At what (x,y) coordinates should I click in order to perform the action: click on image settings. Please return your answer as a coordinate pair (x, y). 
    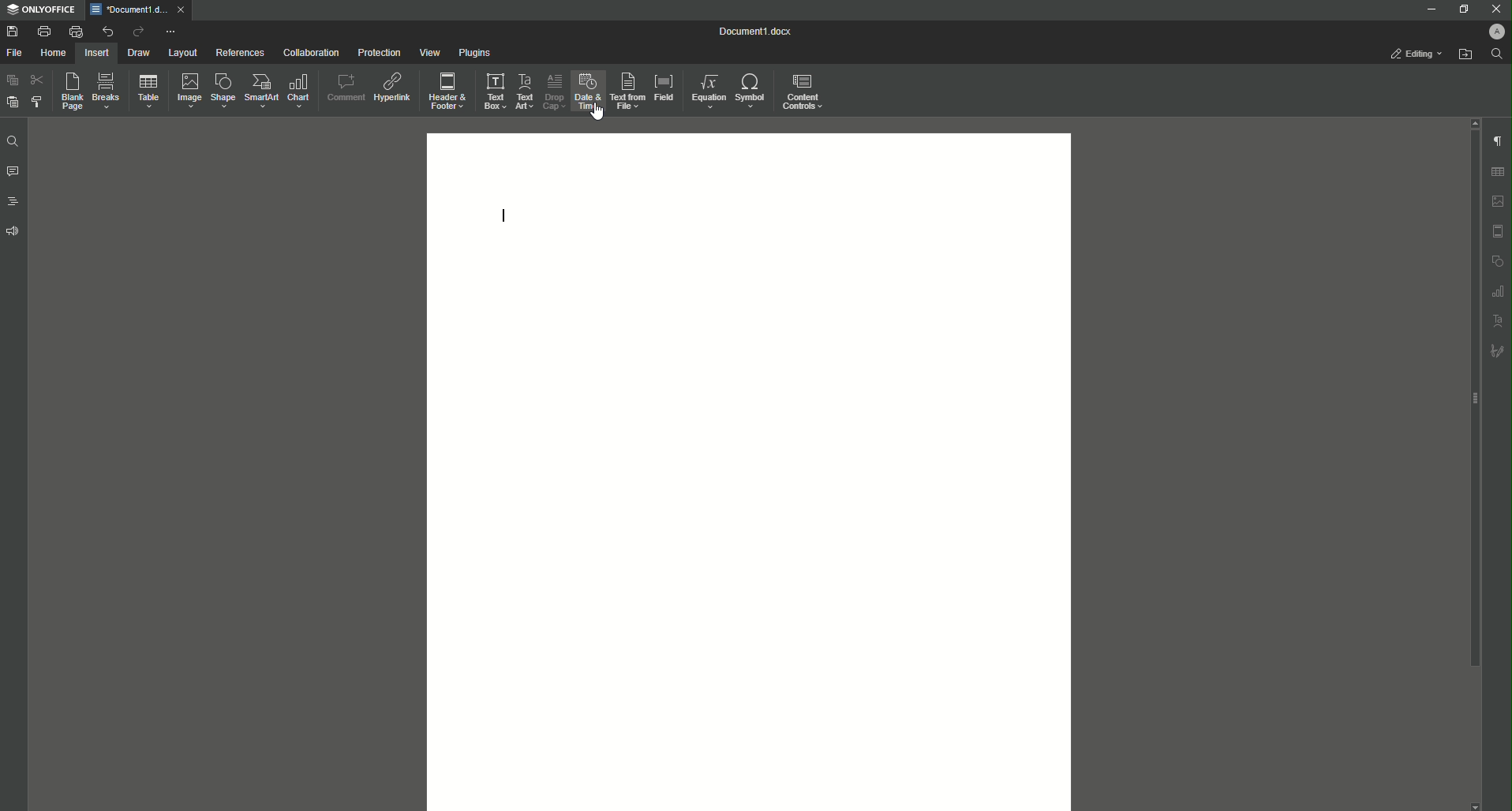
    Looking at the image, I should click on (1499, 201).